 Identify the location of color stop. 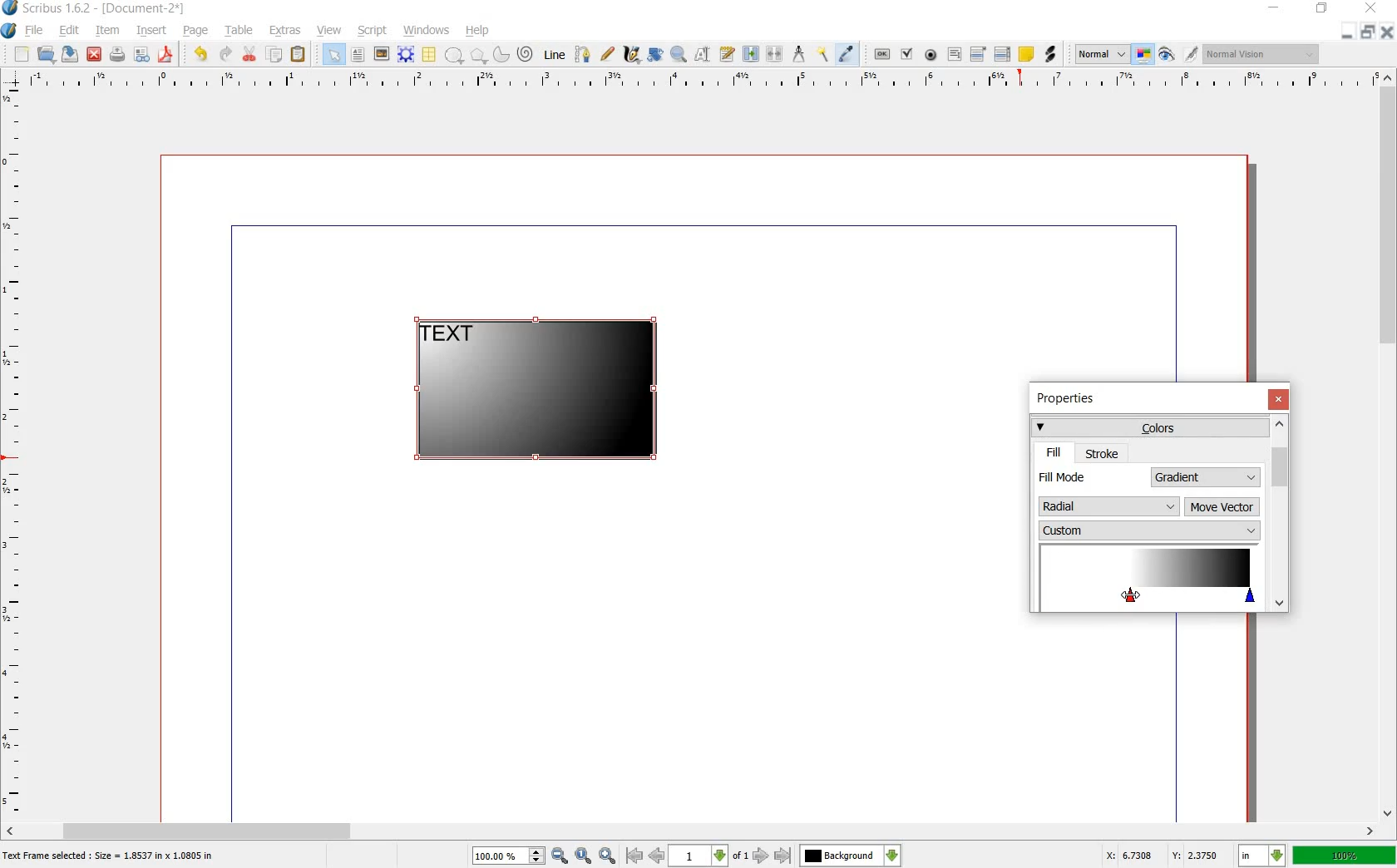
(1150, 578).